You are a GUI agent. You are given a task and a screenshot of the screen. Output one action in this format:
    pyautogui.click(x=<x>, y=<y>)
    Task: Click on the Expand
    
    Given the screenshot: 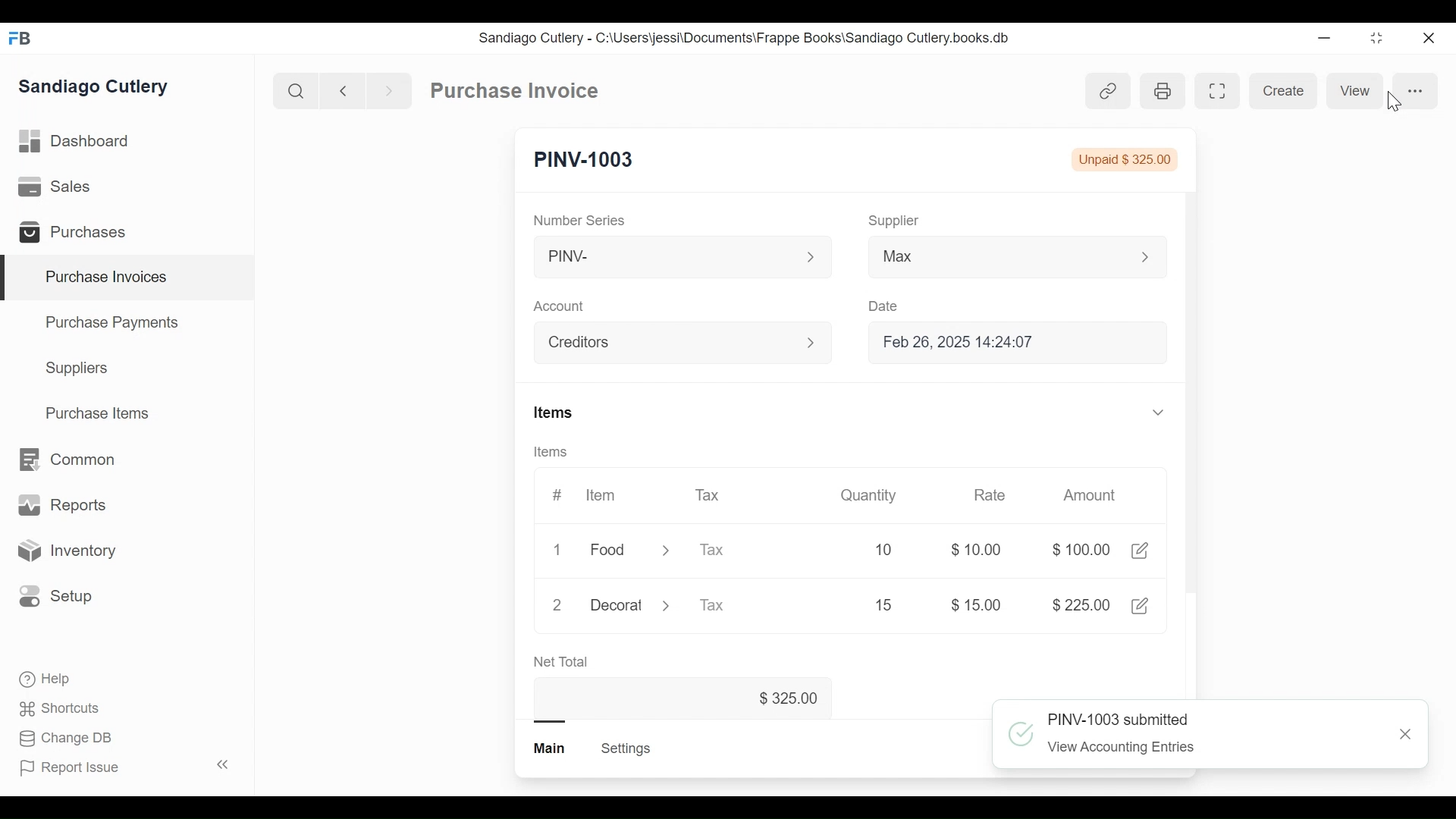 What is the action you would take?
    pyautogui.click(x=820, y=344)
    